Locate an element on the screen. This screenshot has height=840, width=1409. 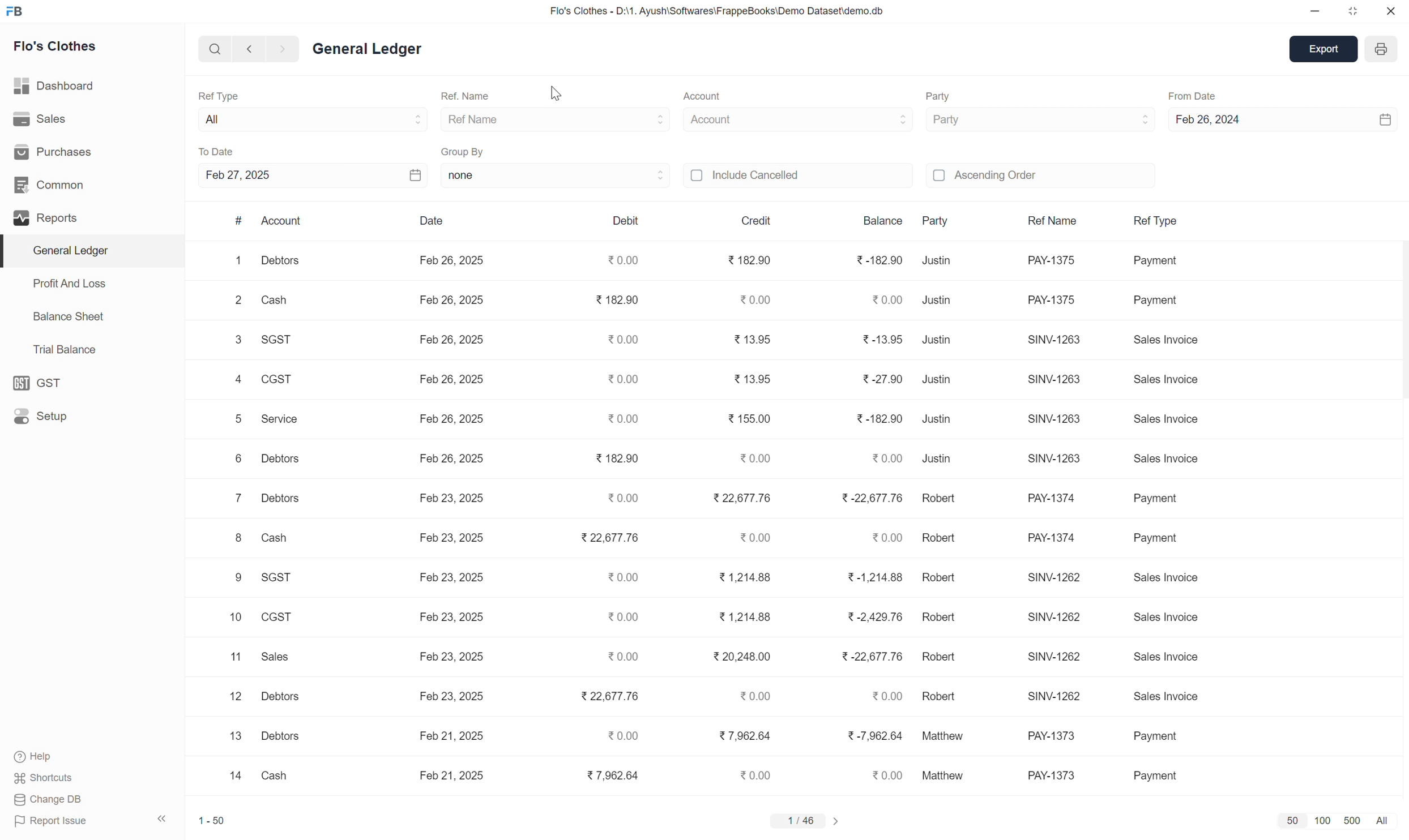
50 is located at coordinates (1292, 821).